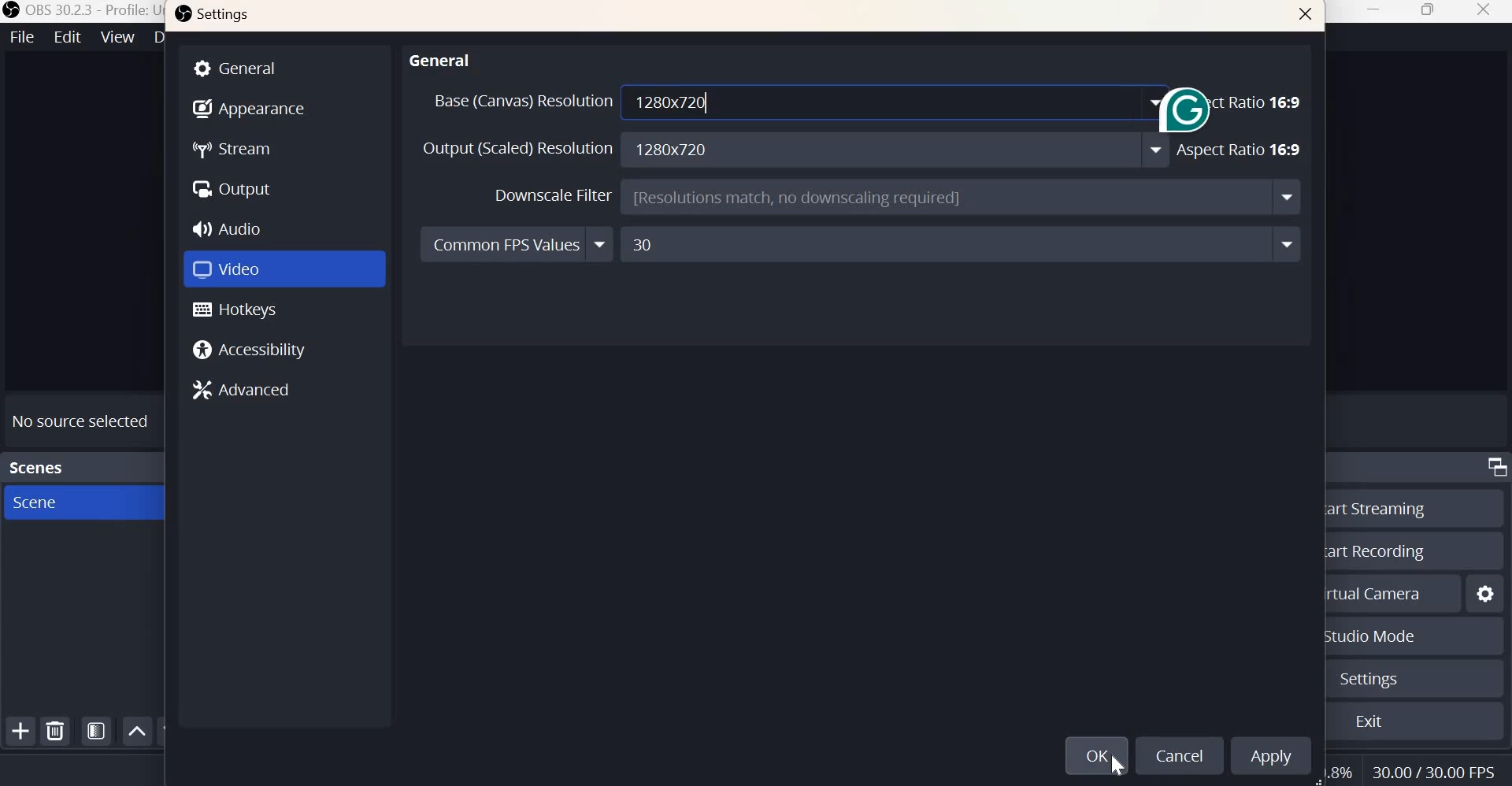  I want to click on Bicubic (sharpened scaling, 16 samples), so click(960, 198).